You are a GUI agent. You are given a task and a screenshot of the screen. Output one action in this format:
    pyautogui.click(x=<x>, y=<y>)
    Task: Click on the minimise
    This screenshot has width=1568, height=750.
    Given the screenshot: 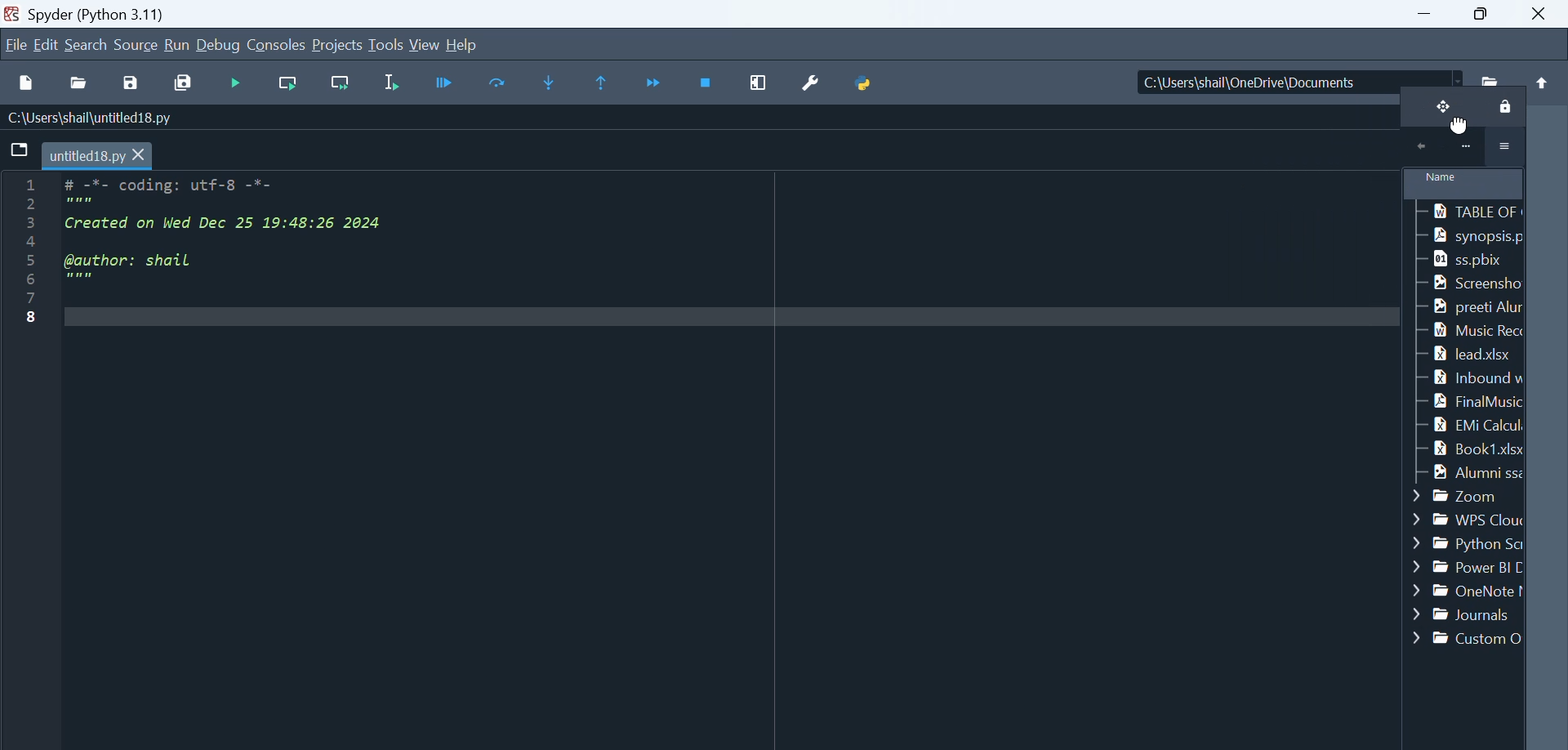 What is the action you would take?
    pyautogui.click(x=1429, y=15)
    